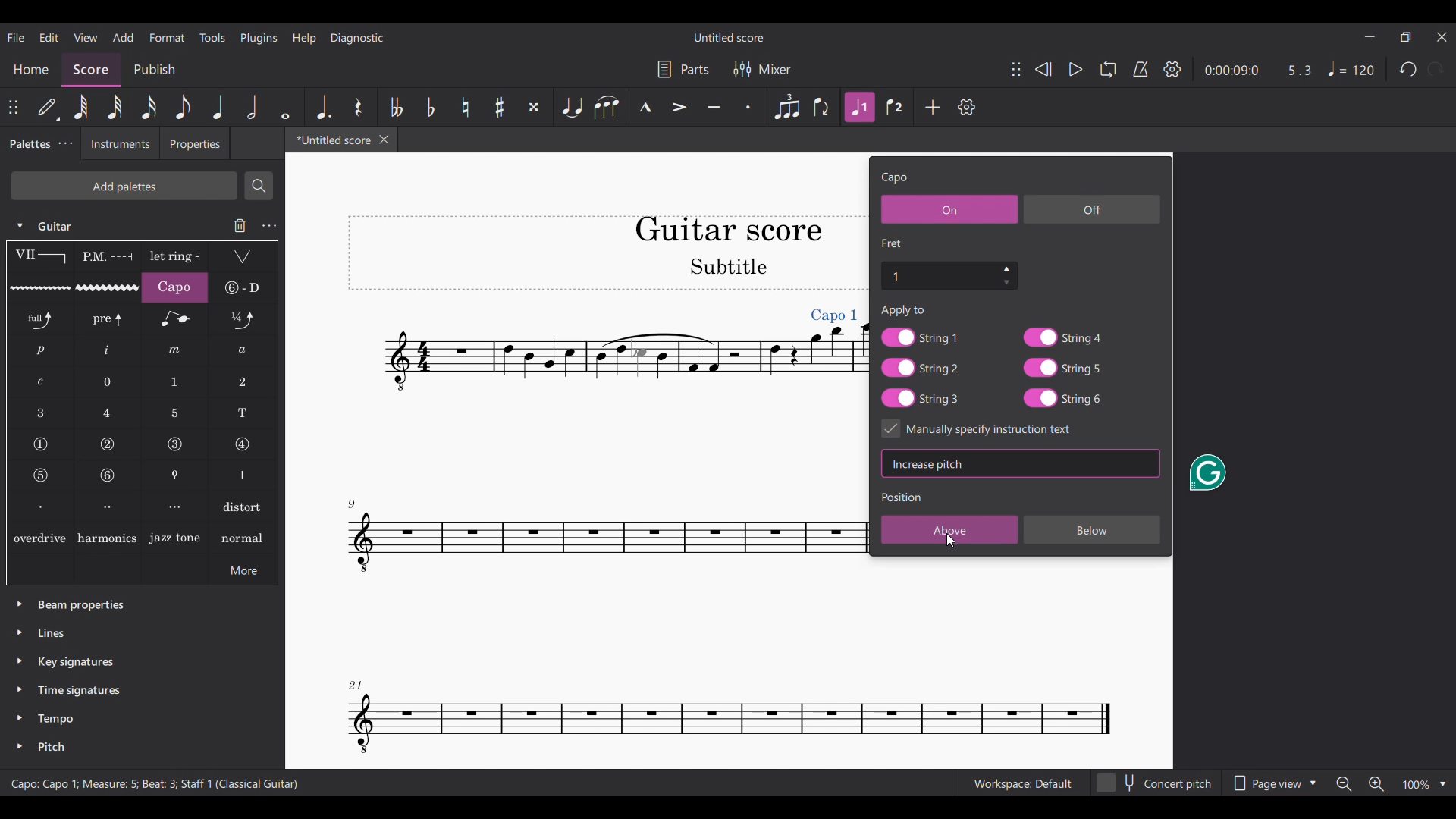  What do you see at coordinates (949, 209) in the screenshot?
I see `On` at bounding box center [949, 209].